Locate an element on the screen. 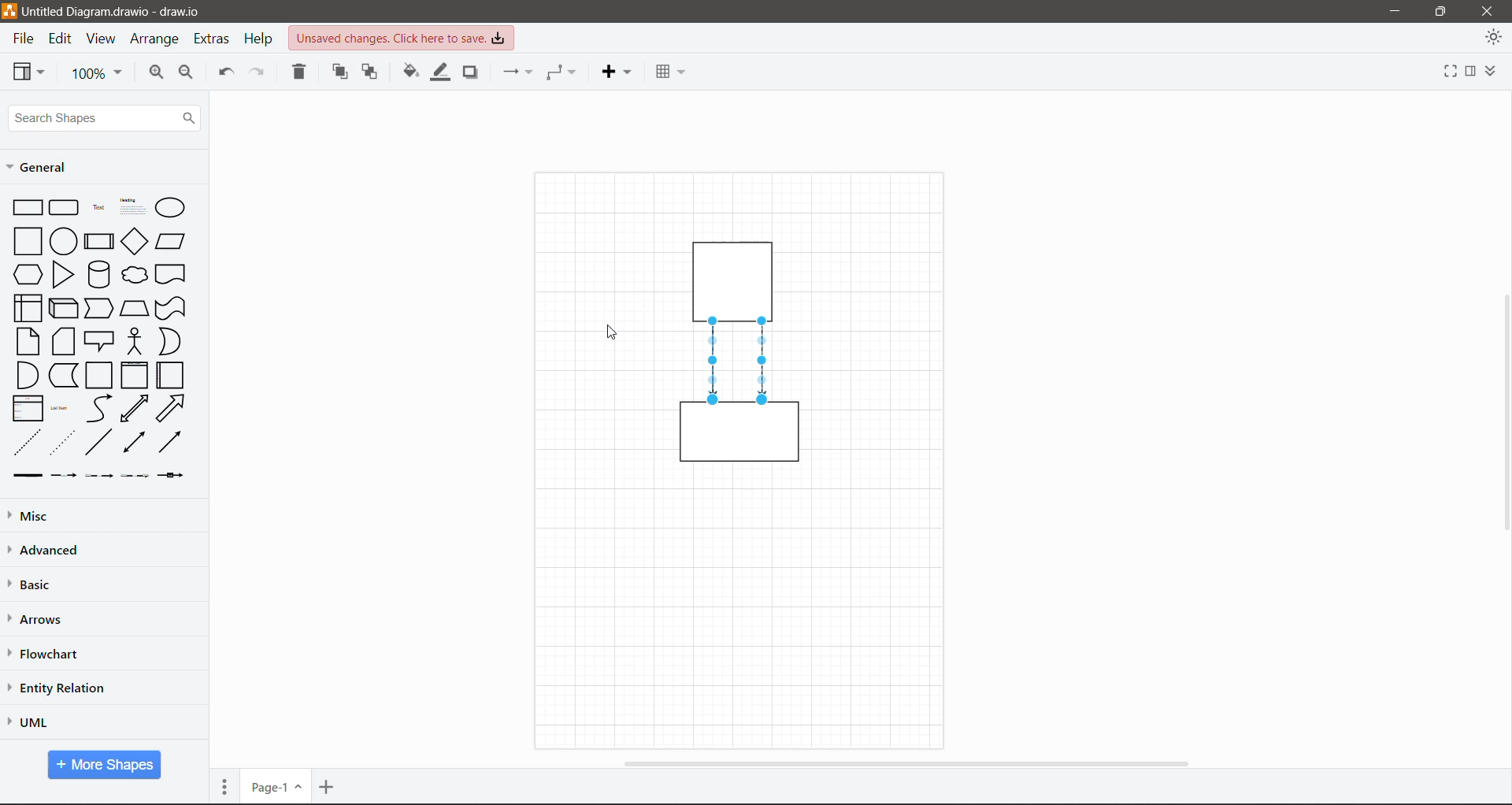  Directional Connector is located at coordinates (764, 362).